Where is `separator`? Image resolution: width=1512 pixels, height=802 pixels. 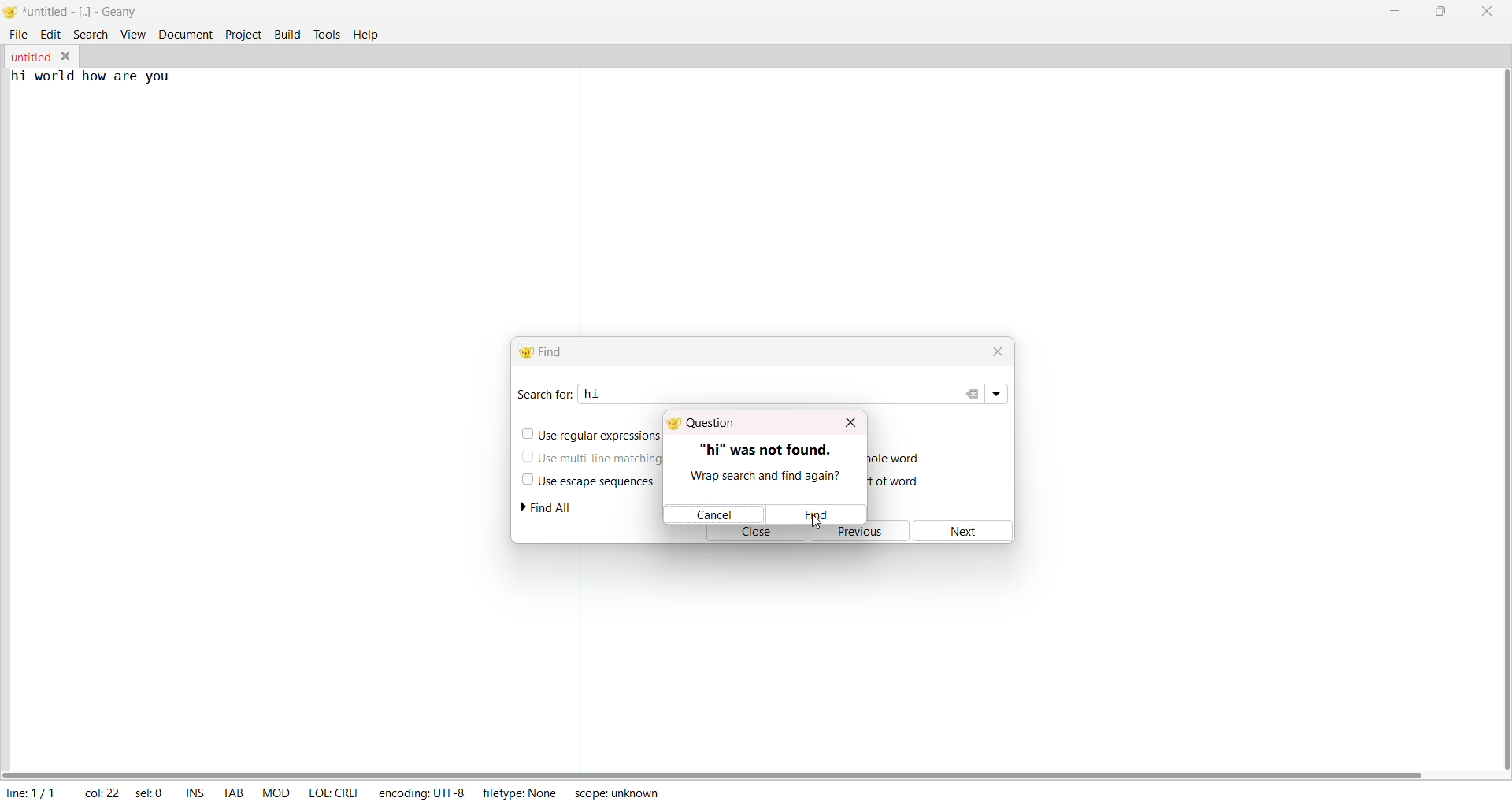
separator is located at coordinates (584, 202).